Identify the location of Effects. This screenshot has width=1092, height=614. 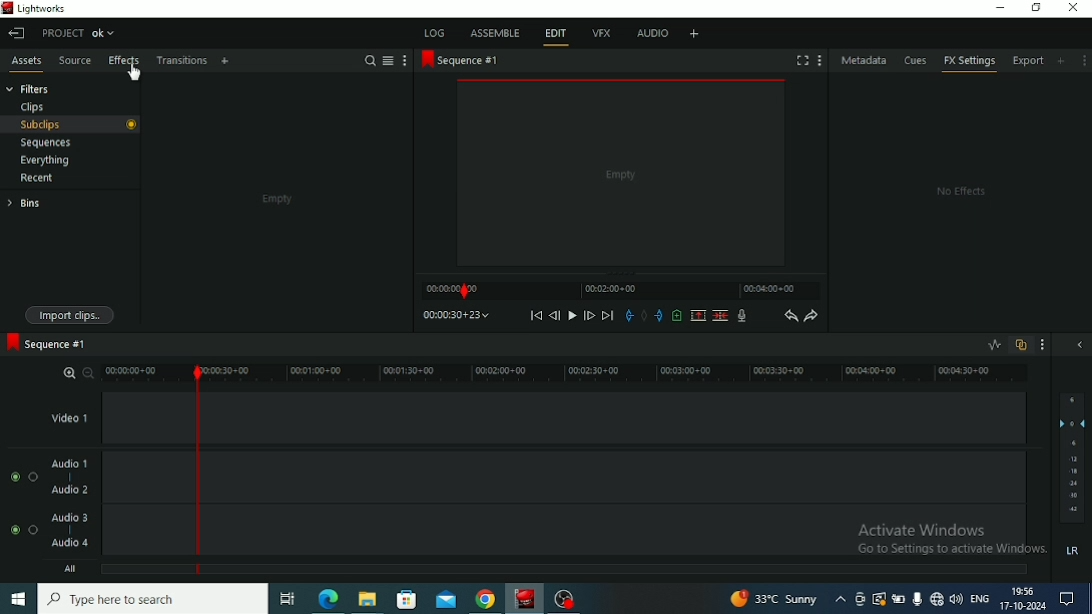
(124, 67).